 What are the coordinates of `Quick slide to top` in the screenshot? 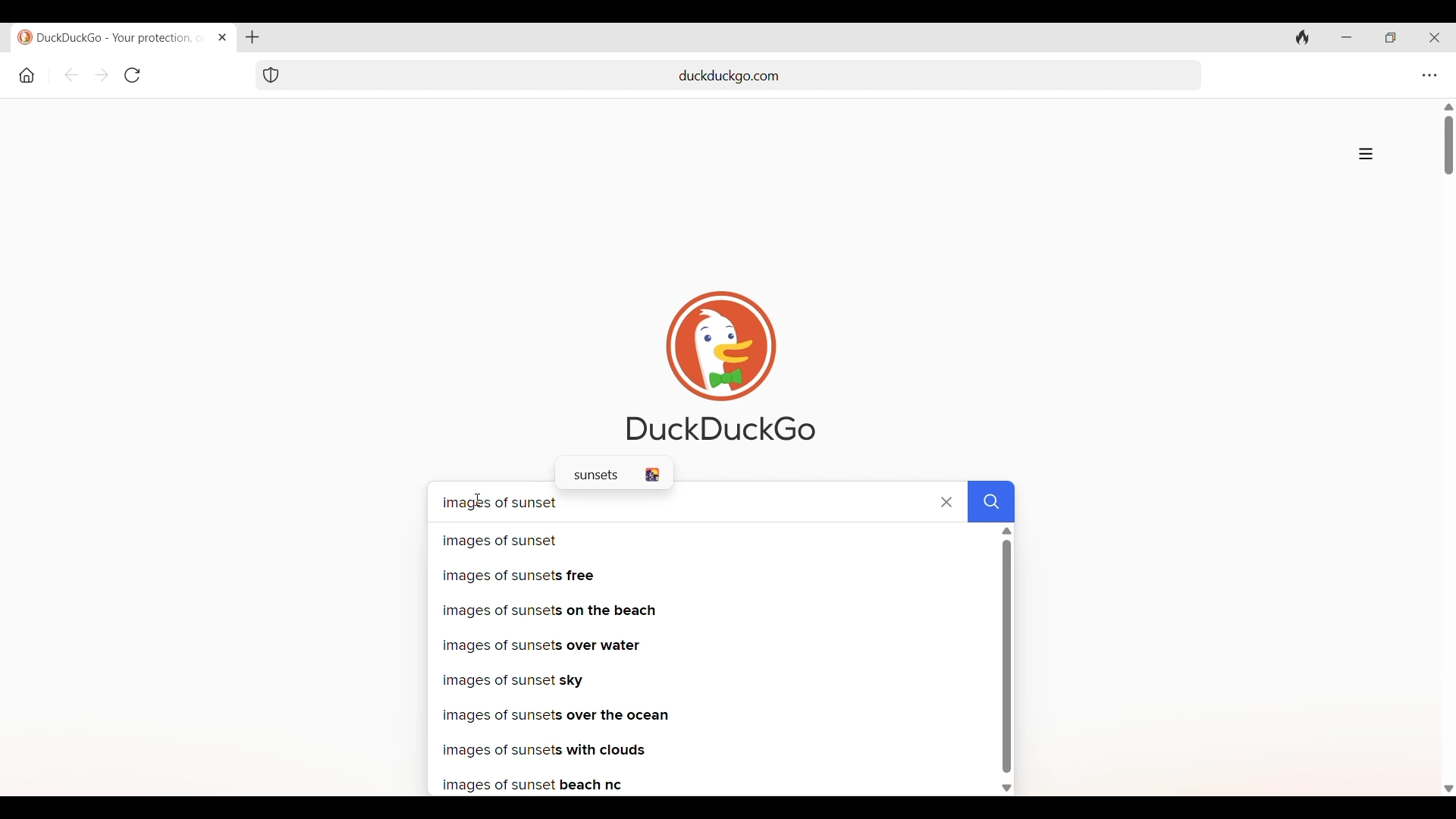 It's located at (1007, 531).